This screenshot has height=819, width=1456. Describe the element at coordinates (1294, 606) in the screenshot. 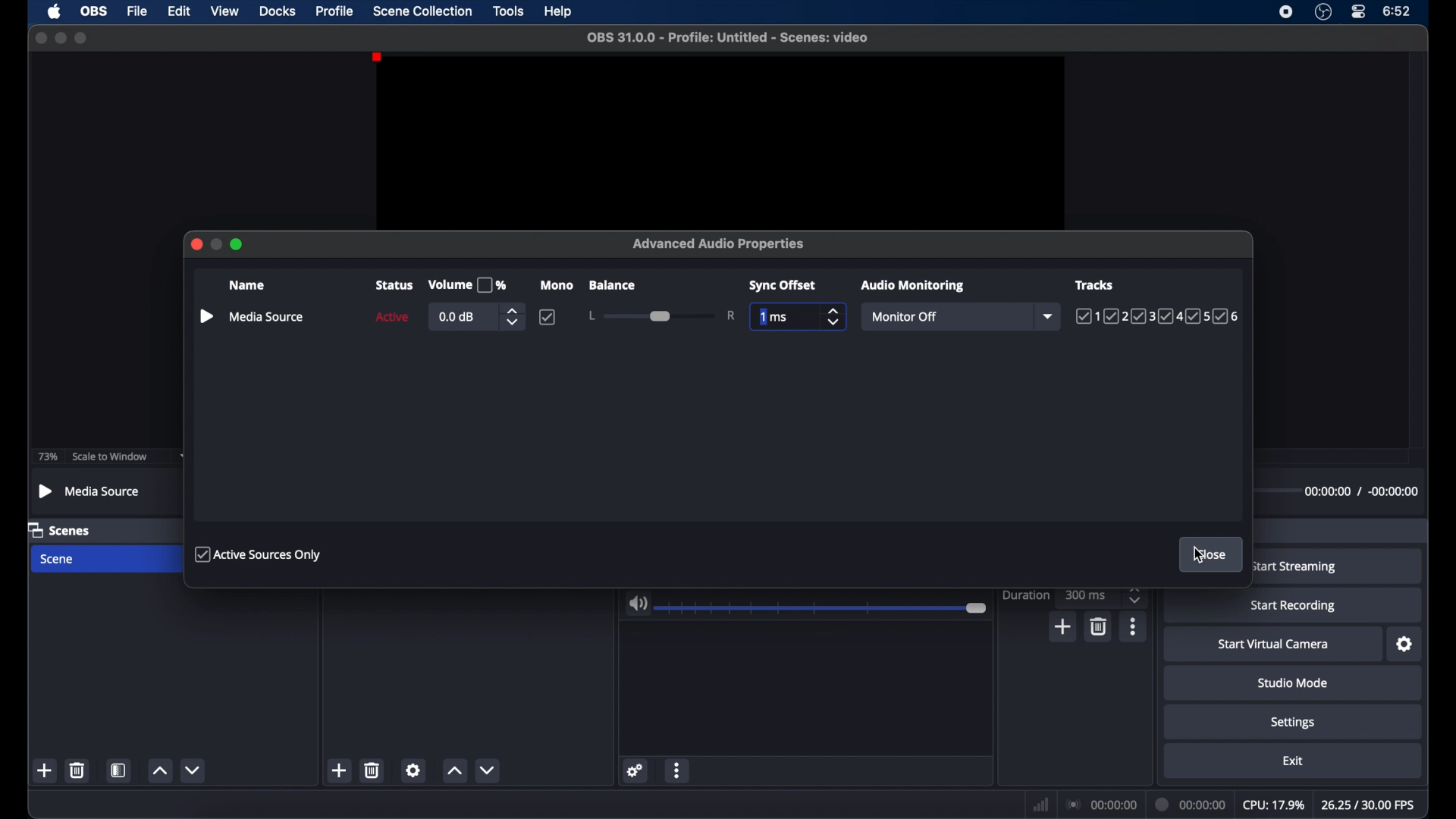

I see `start recording` at that location.